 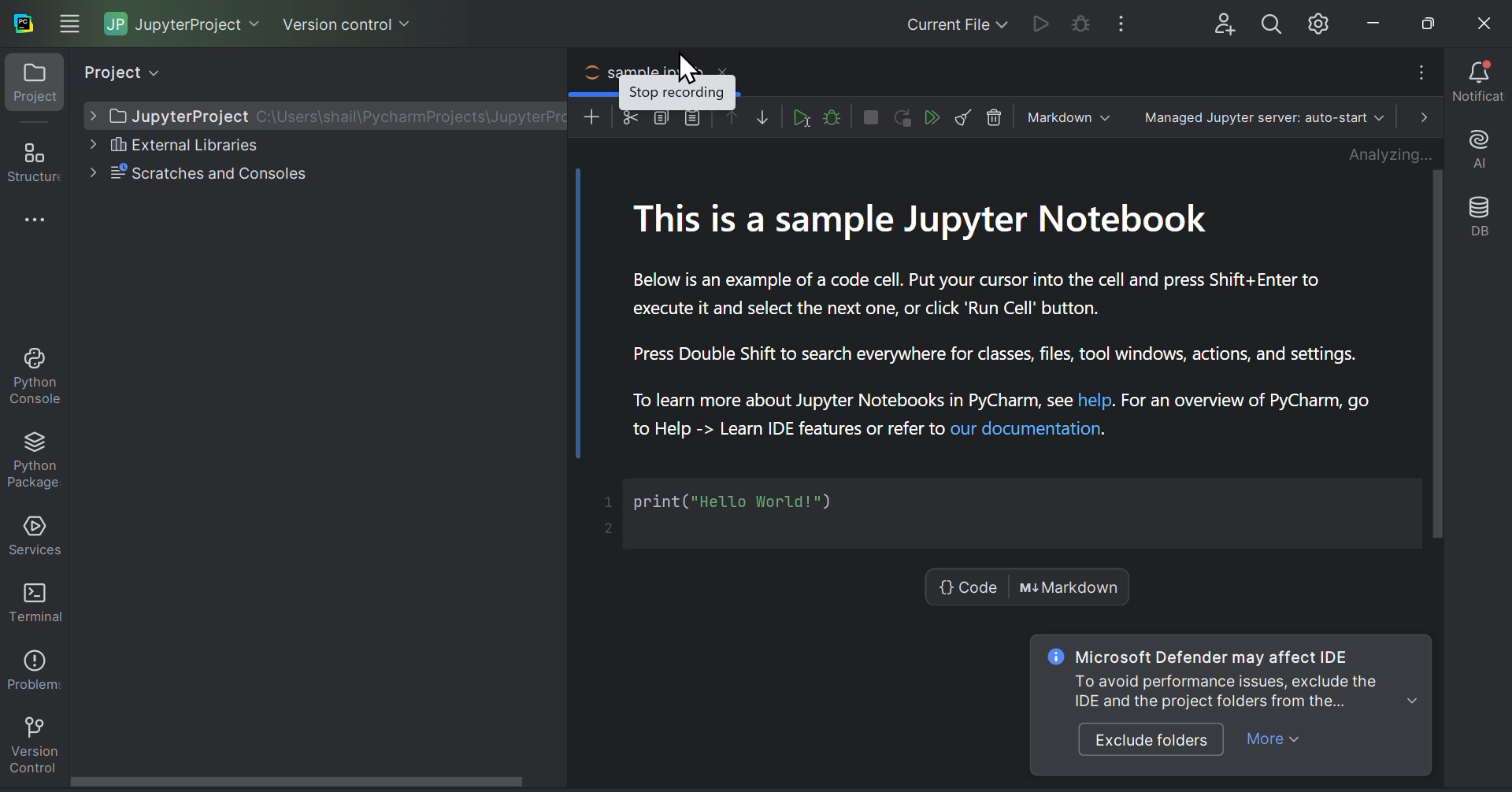 I want to click on Project, so click(x=138, y=73).